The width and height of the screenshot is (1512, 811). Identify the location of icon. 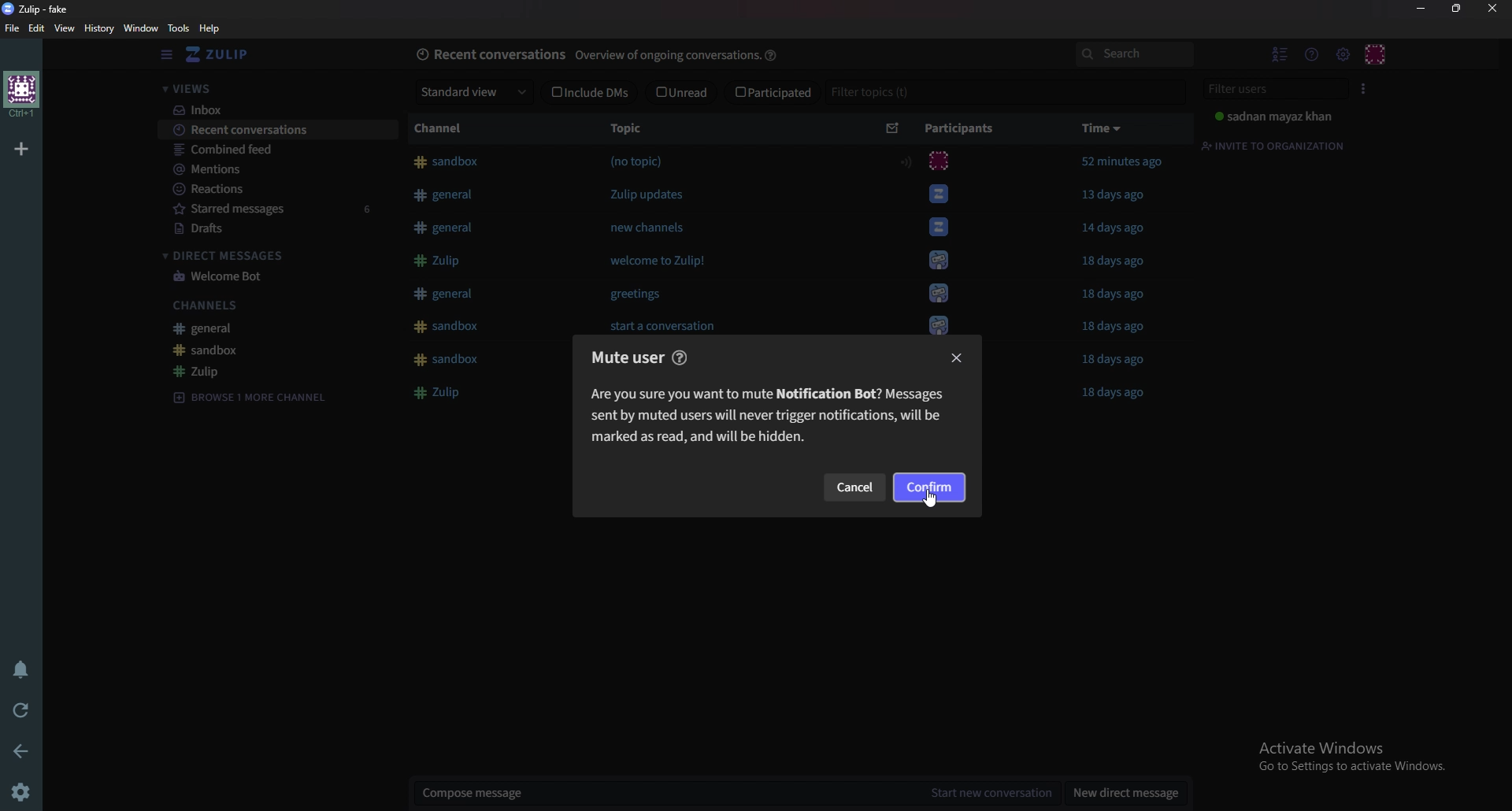
(942, 230).